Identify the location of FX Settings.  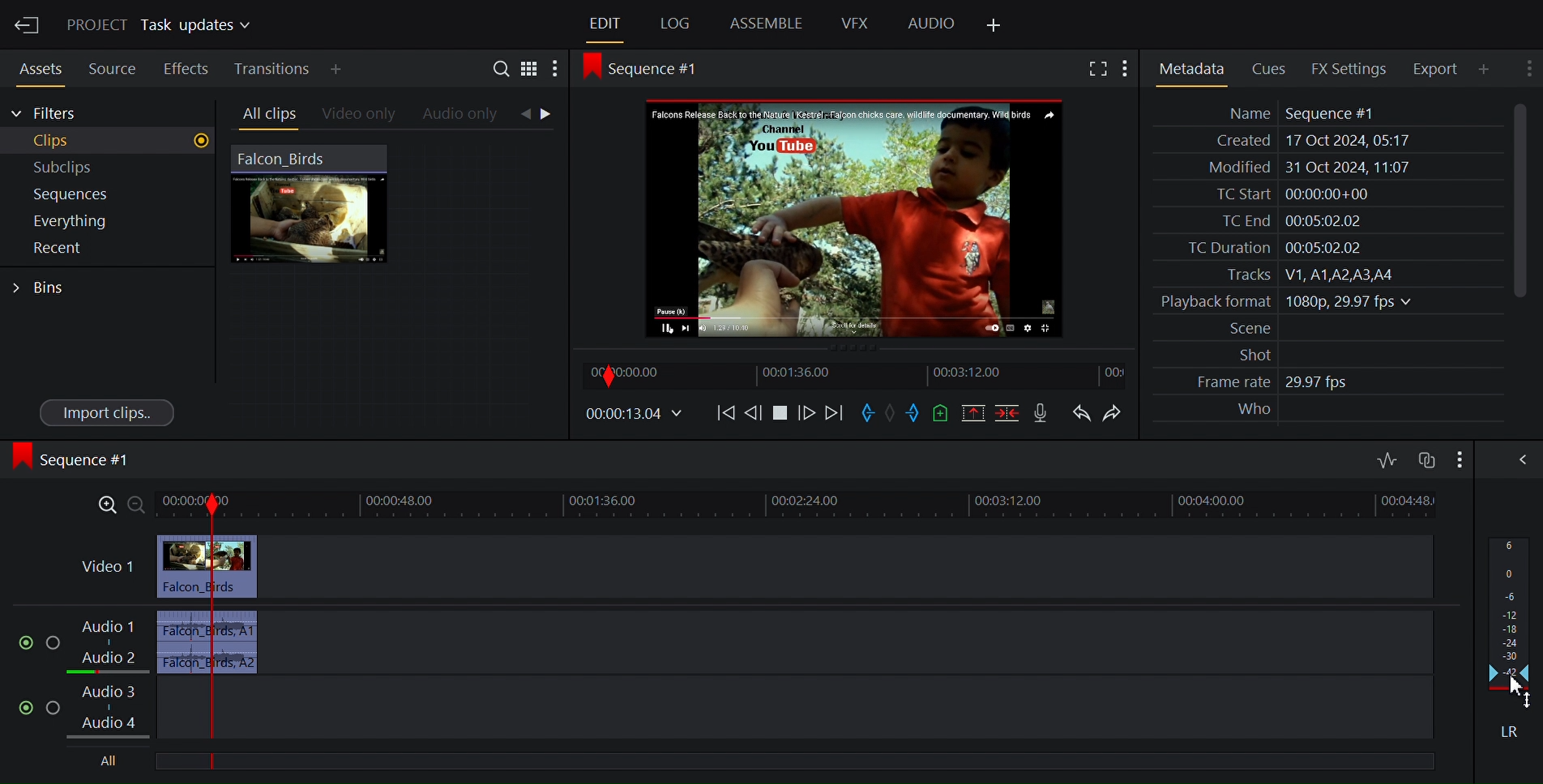
(1347, 68).